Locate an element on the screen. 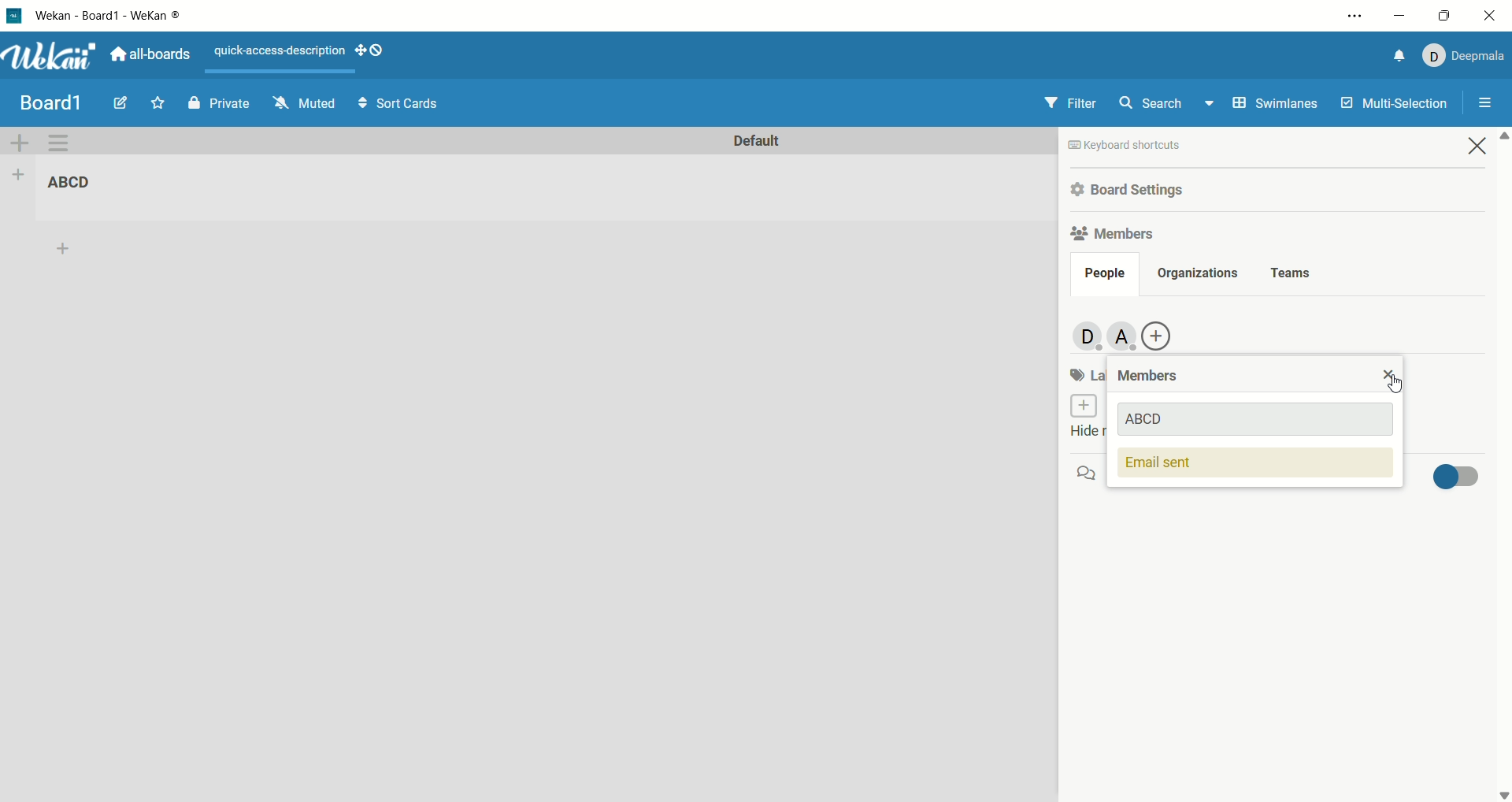  swimlane action is located at coordinates (65, 144).